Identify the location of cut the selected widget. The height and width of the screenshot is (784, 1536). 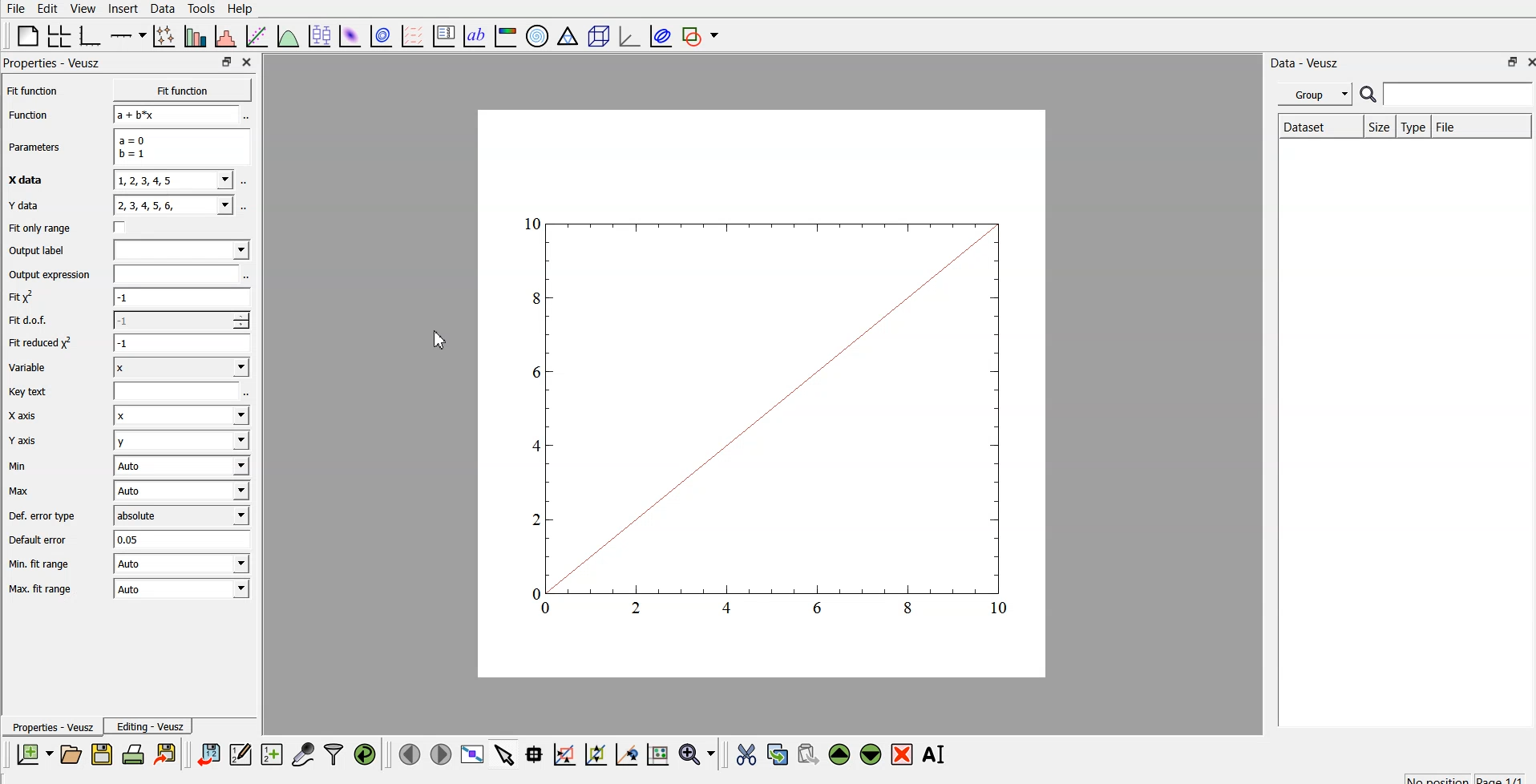
(745, 757).